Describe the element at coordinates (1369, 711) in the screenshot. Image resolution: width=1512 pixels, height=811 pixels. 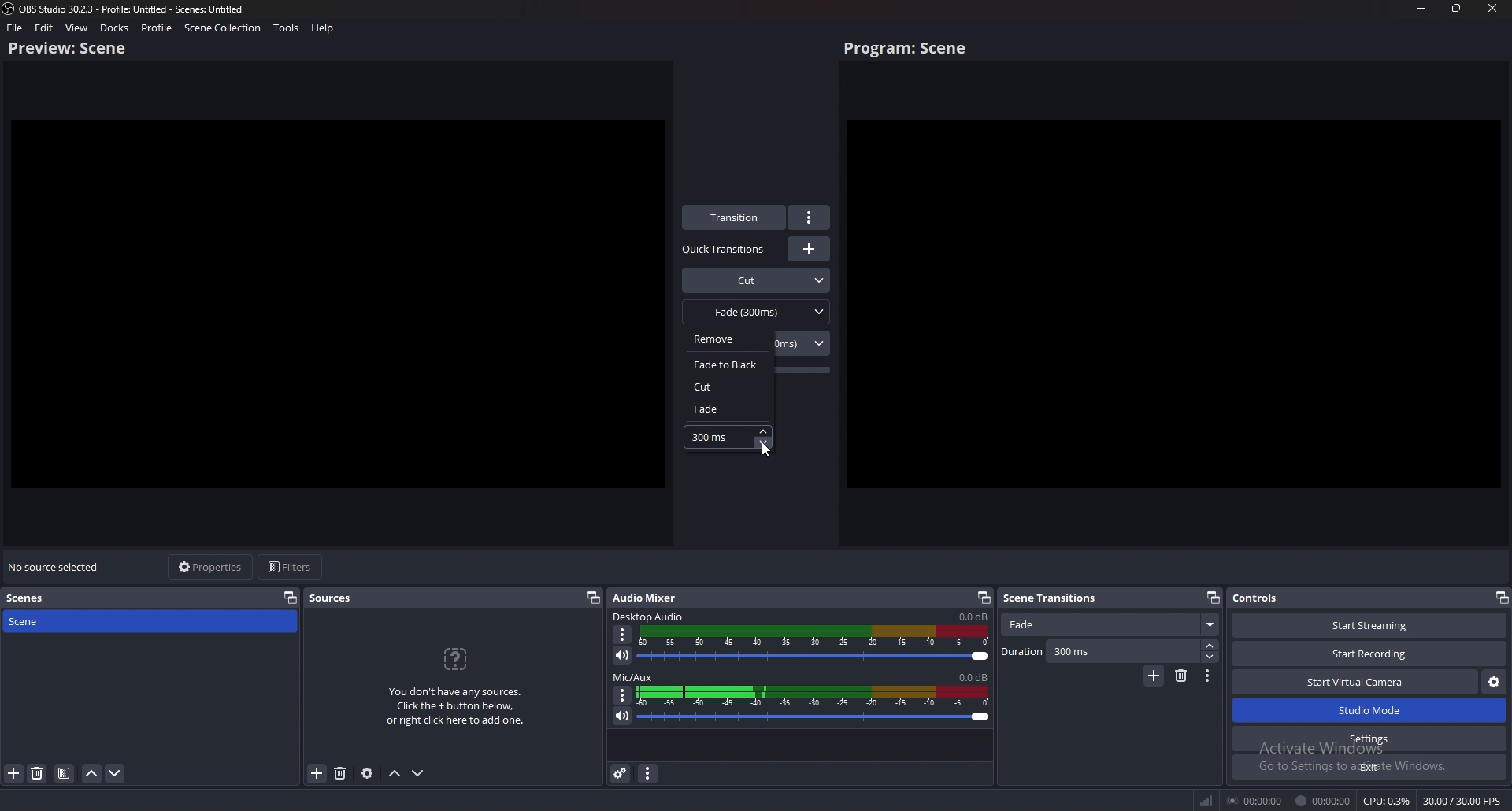
I see `Studio mode` at that location.